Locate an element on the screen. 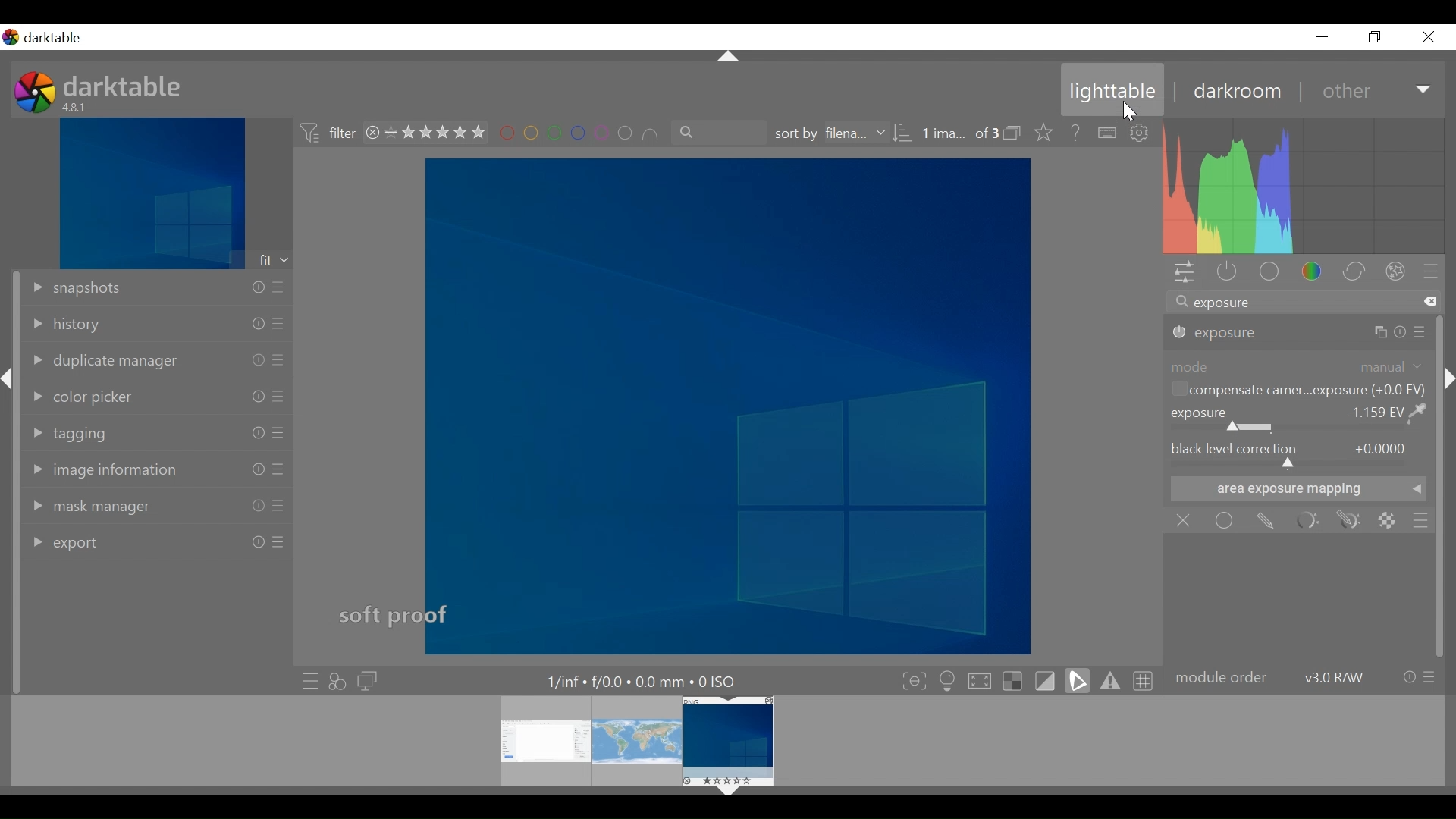  area e mappingxposure is located at coordinates (1303, 488).